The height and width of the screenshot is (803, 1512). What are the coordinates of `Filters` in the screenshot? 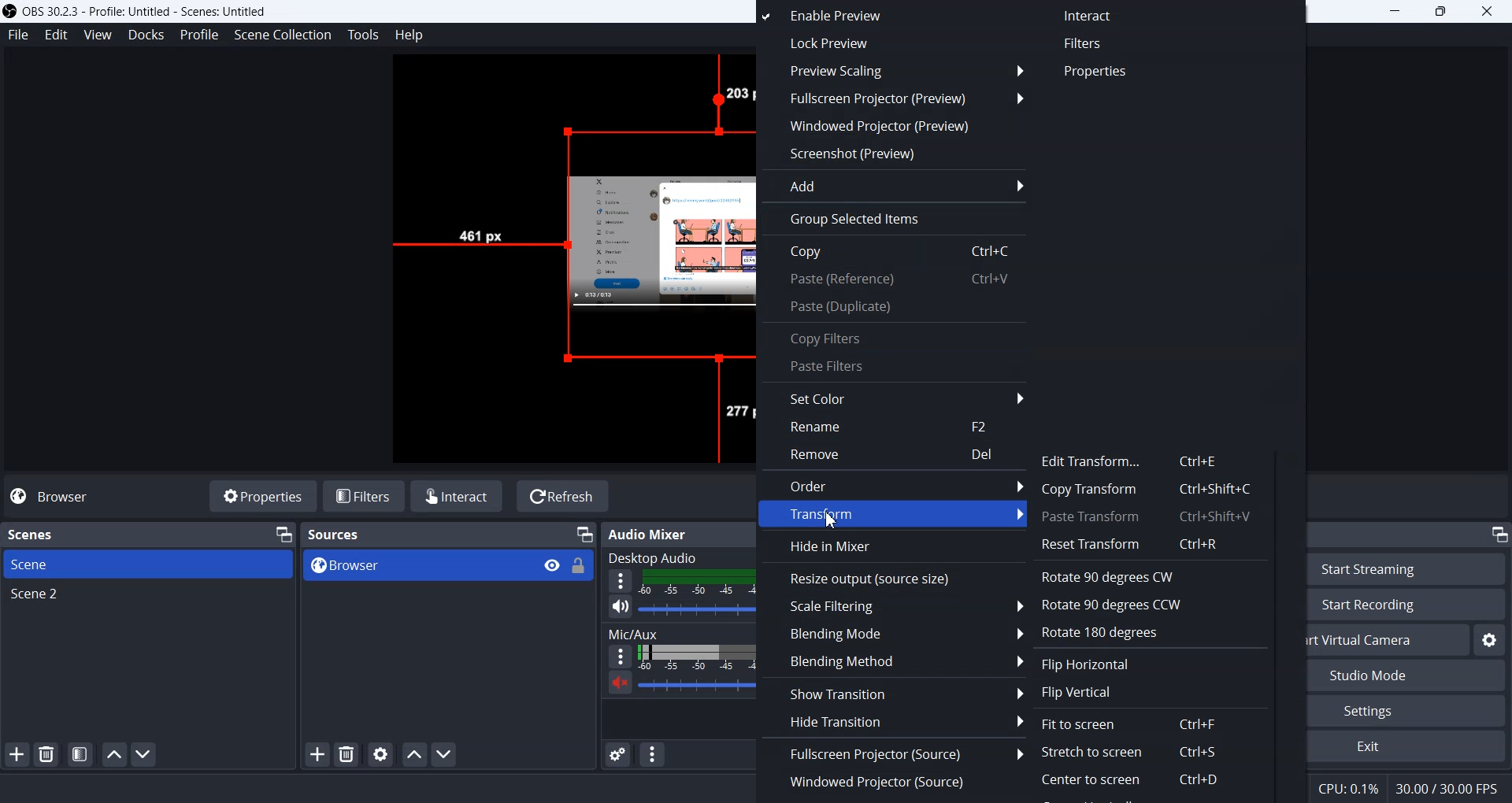 It's located at (365, 497).